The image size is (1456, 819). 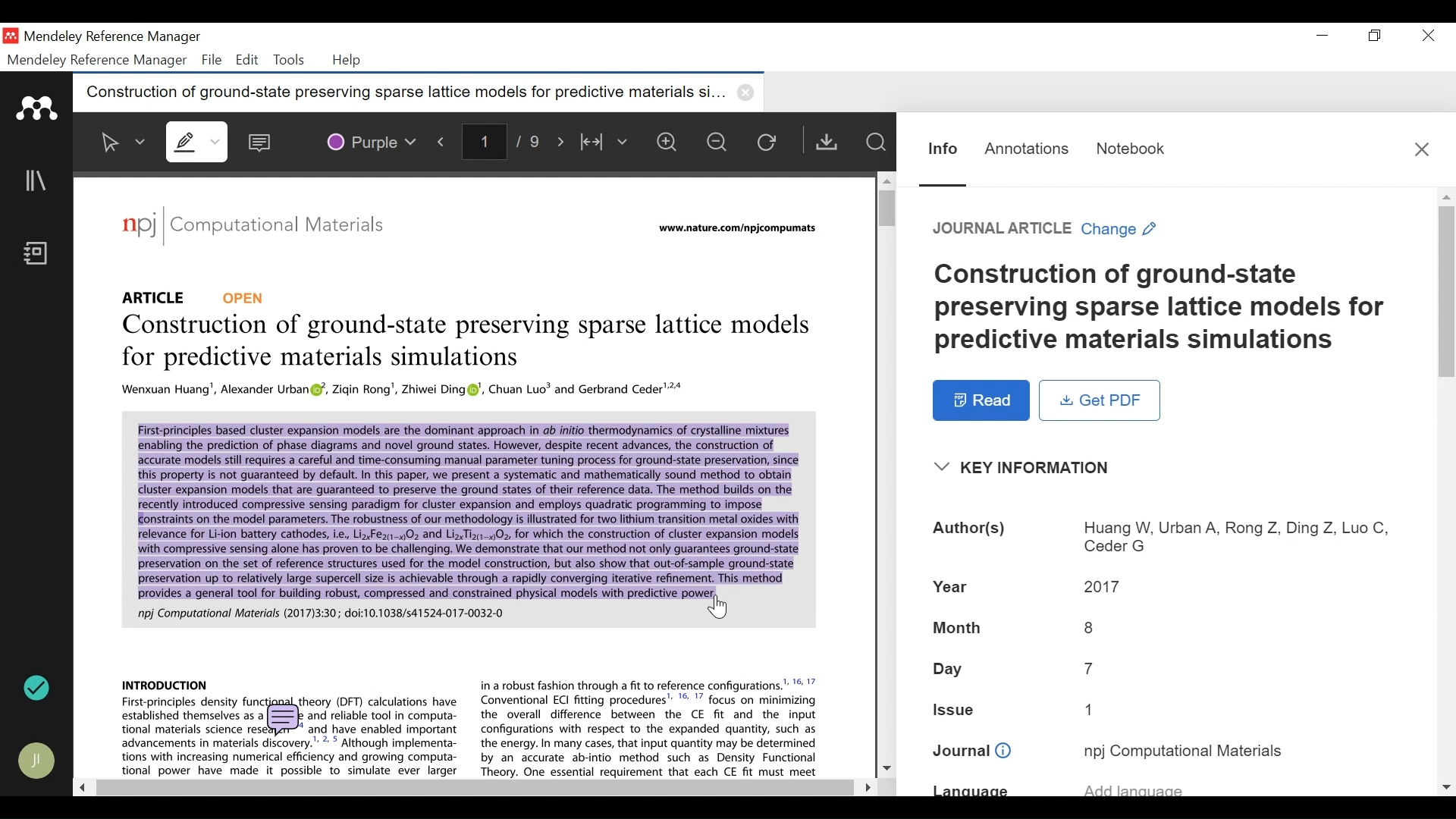 What do you see at coordinates (1100, 400) in the screenshot?
I see `Get PDF` at bounding box center [1100, 400].